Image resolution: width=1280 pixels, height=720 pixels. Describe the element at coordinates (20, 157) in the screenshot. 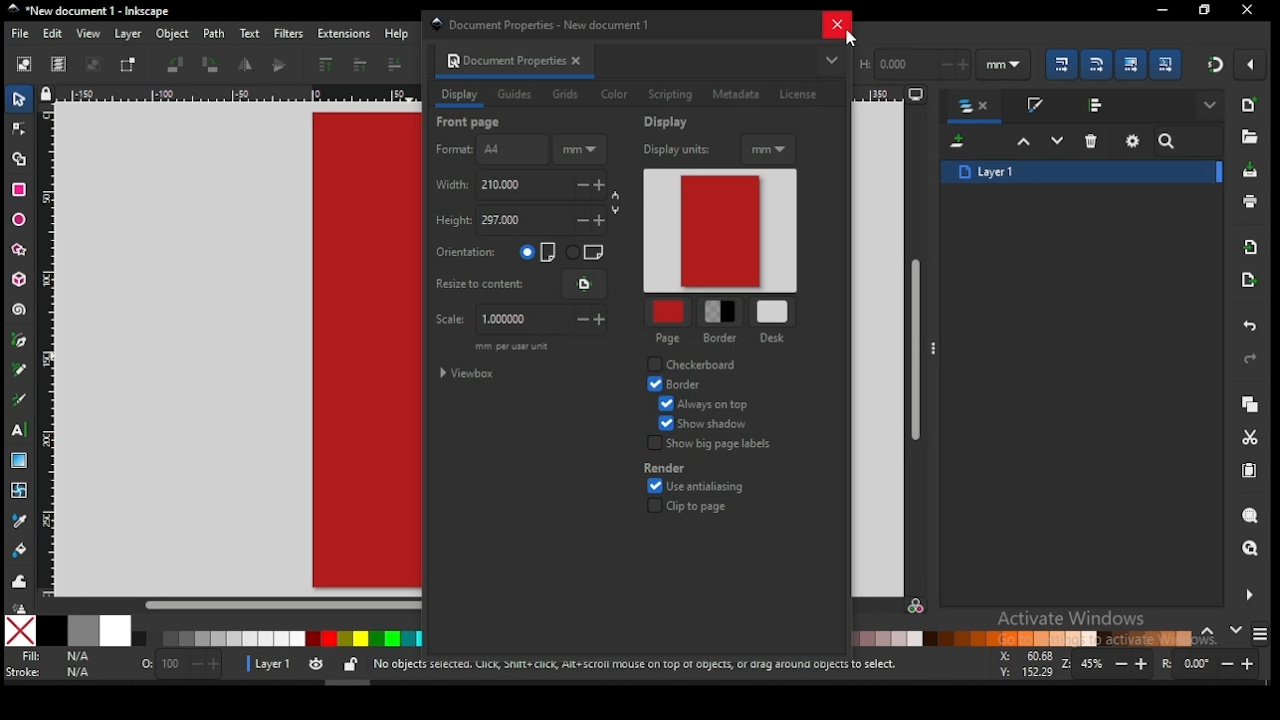

I see `shape builder tool` at that location.